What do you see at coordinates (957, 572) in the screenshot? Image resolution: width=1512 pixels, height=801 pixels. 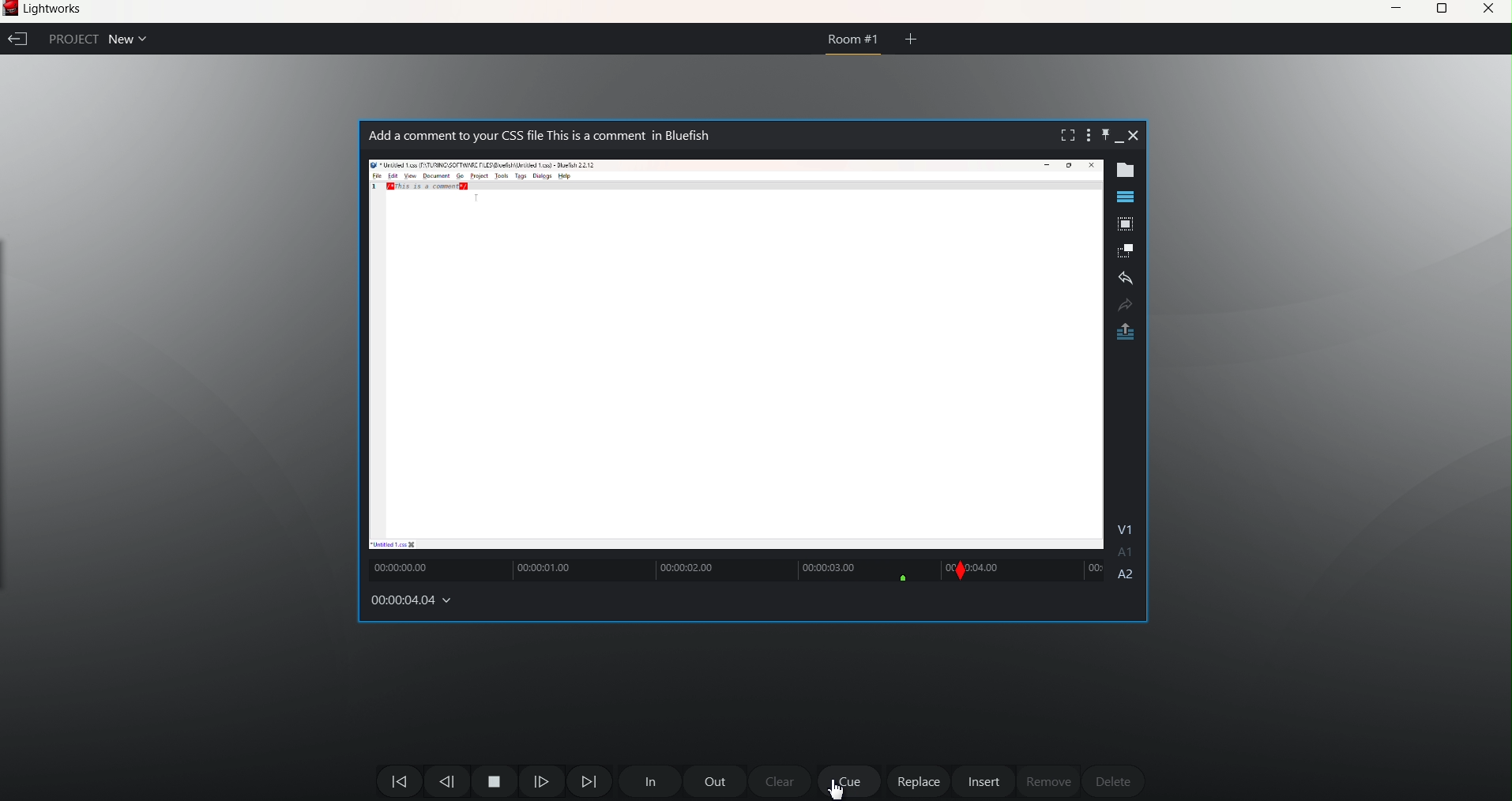 I see `Slip moved forward` at bounding box center [957, 572].